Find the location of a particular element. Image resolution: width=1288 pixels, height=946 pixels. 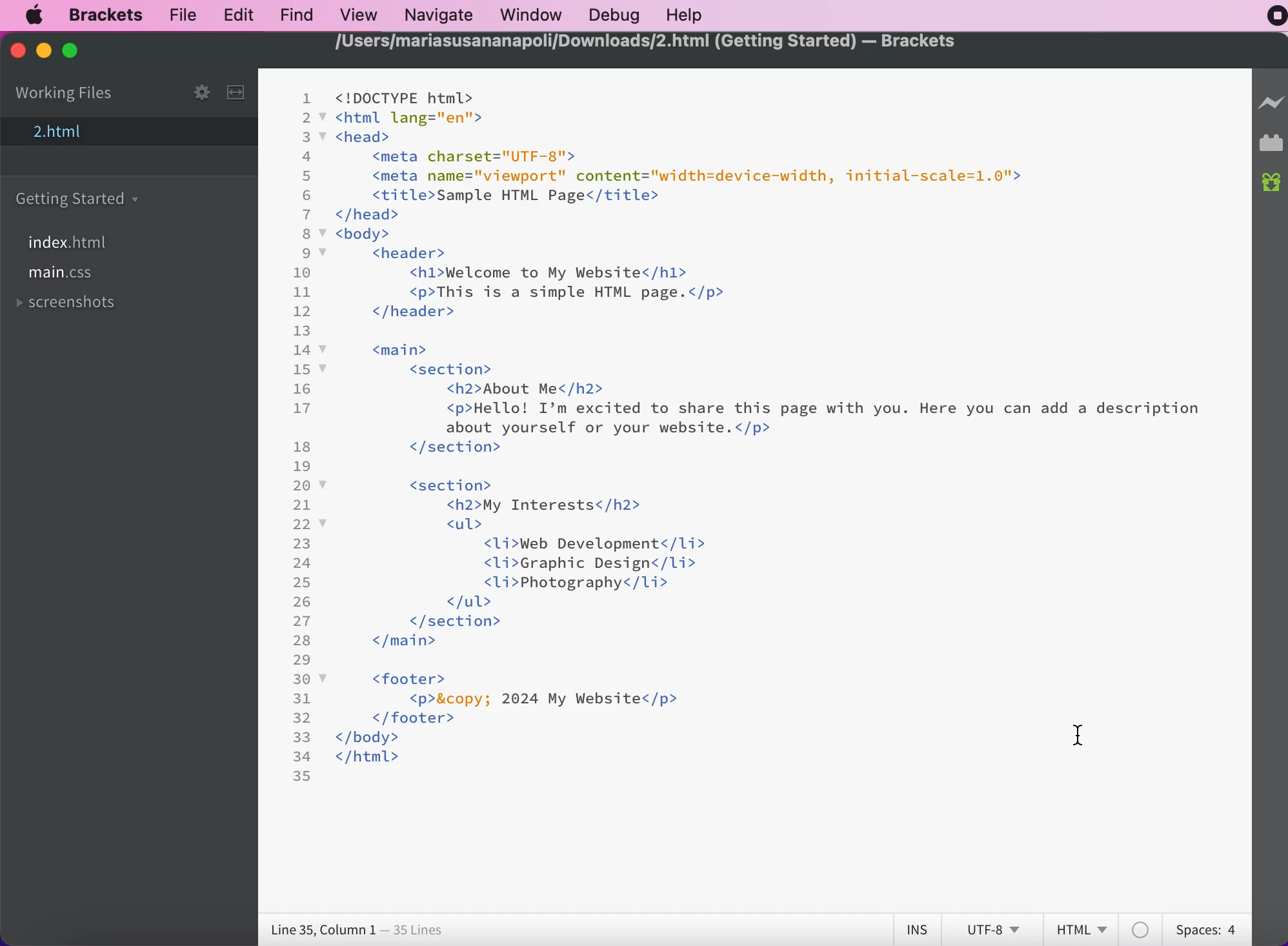

1 is located at coordinates (307, 97).